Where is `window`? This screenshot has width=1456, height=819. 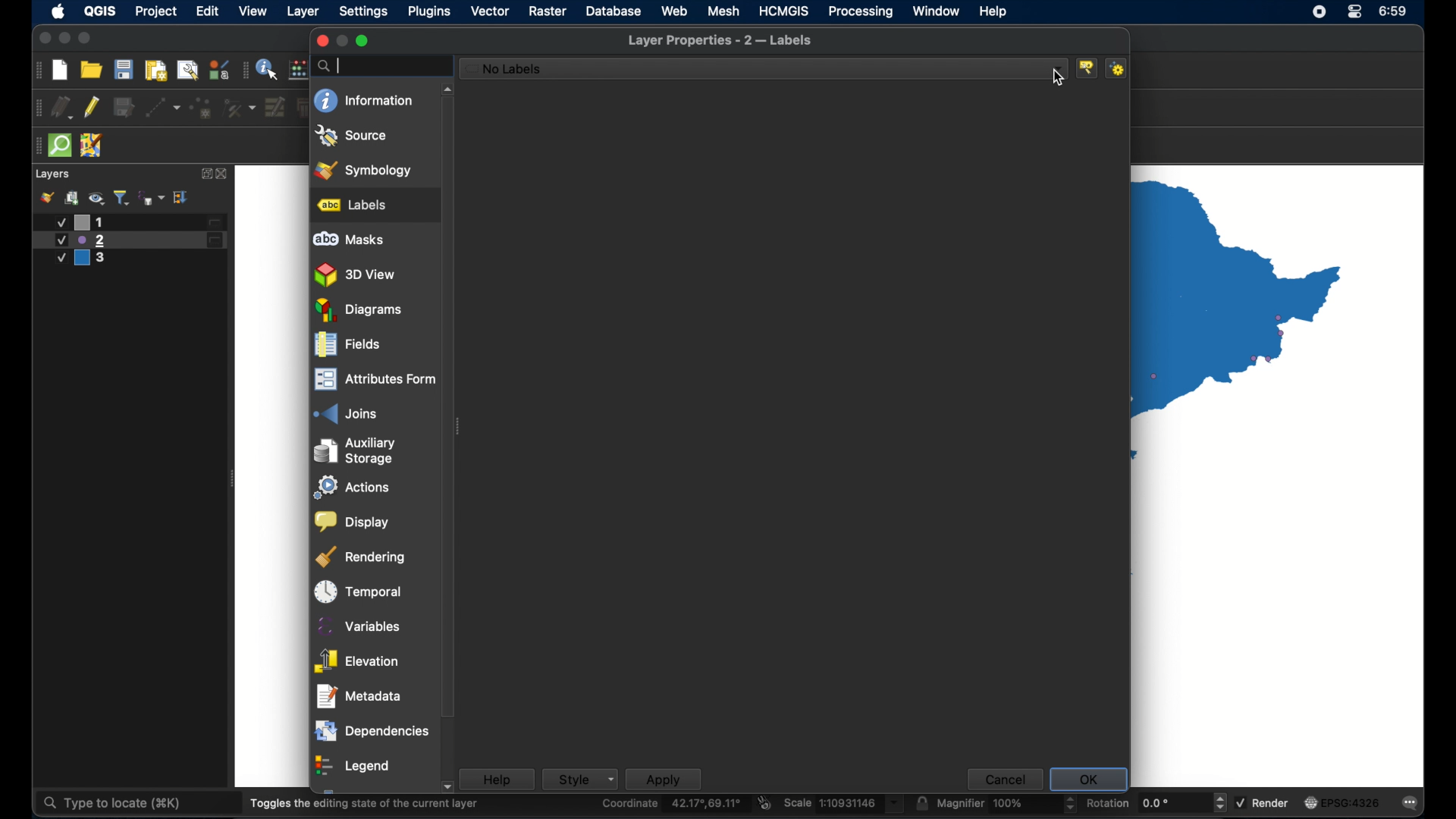 window is located at coordinates (937, 12).